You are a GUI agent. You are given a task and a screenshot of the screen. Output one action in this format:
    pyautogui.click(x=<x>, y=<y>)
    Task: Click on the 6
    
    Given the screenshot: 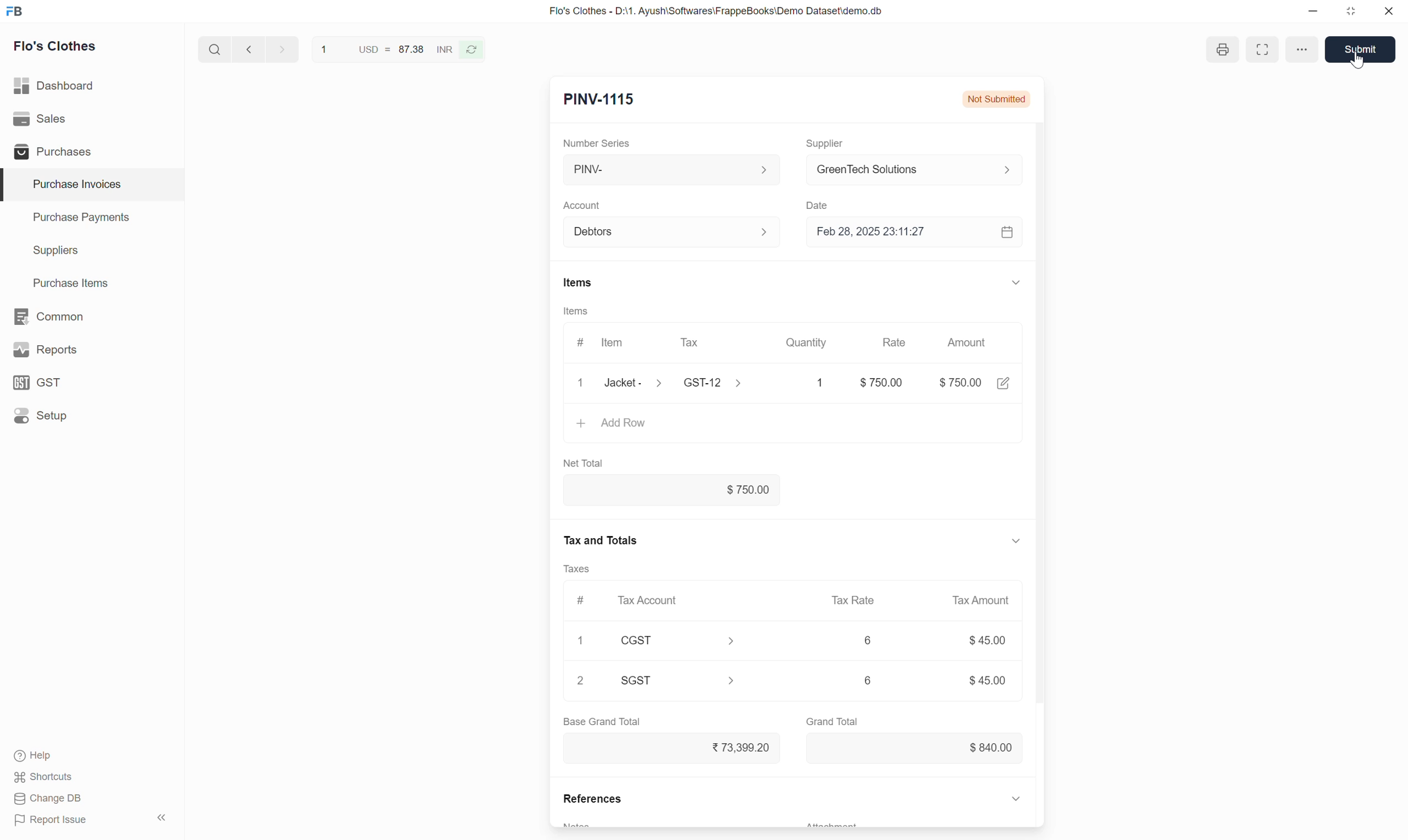 What is the action you would take?
    pyautogui.click(x=868, y=680)
    